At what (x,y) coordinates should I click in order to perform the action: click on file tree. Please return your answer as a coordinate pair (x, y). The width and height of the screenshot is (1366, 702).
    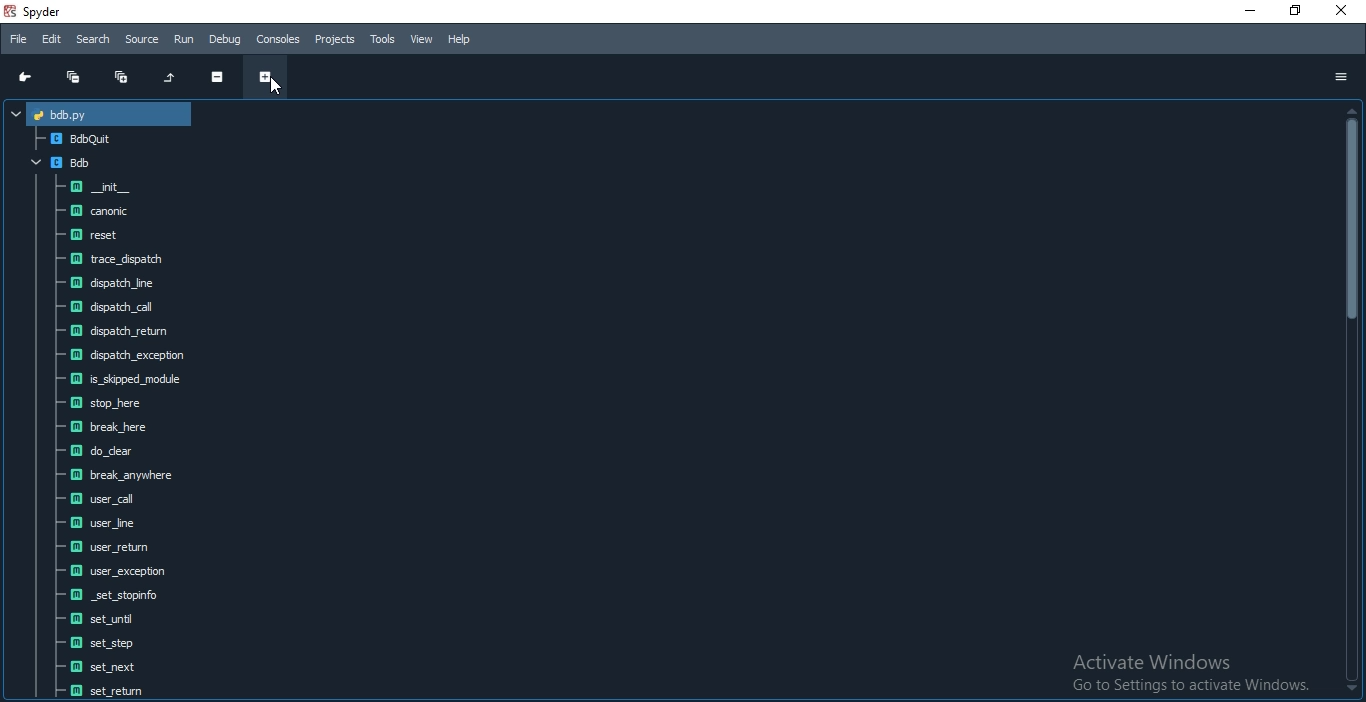
    Looking at the image, I should click on (73, 113).